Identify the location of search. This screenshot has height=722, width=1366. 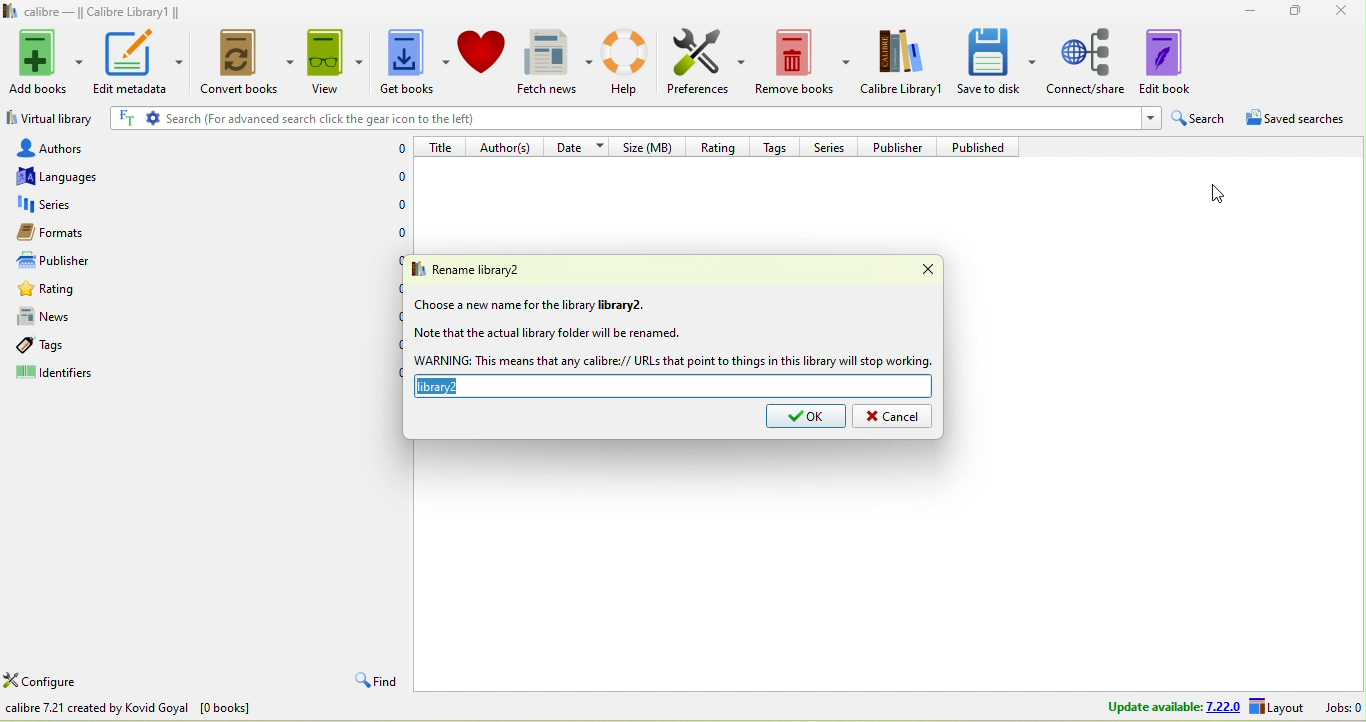
(1200, 119).